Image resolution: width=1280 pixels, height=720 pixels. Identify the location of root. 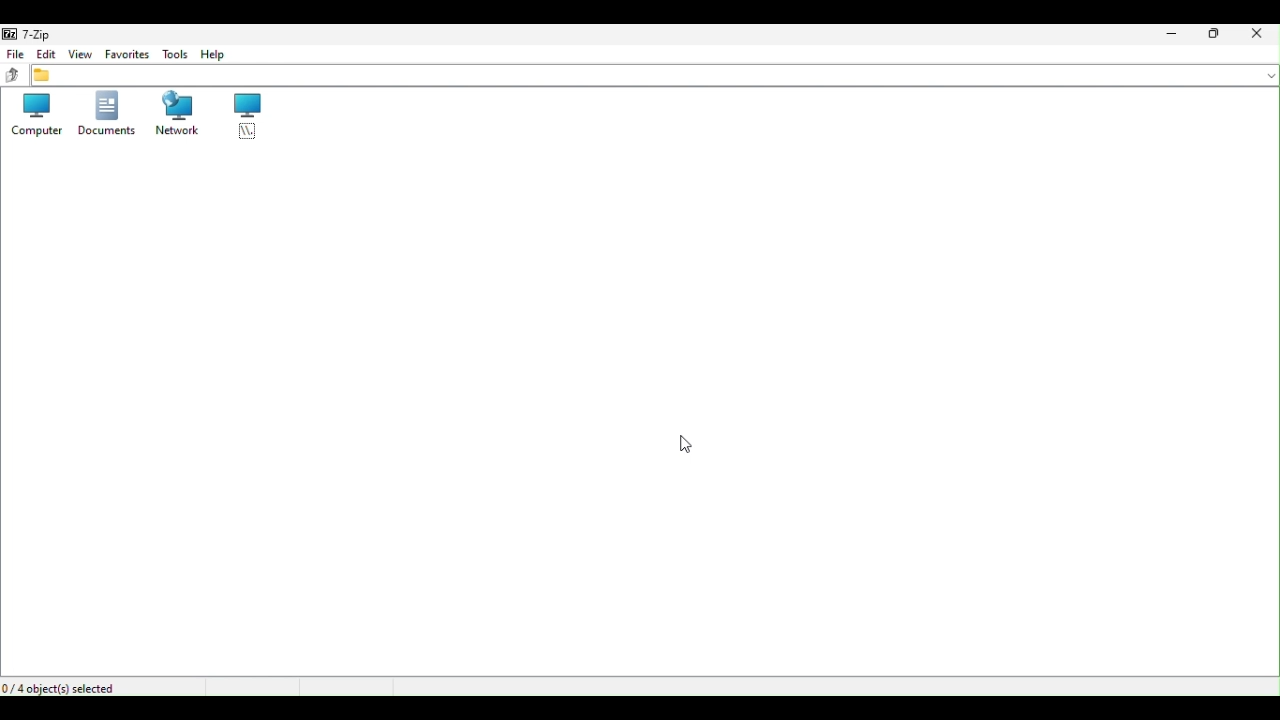
(245, 119).